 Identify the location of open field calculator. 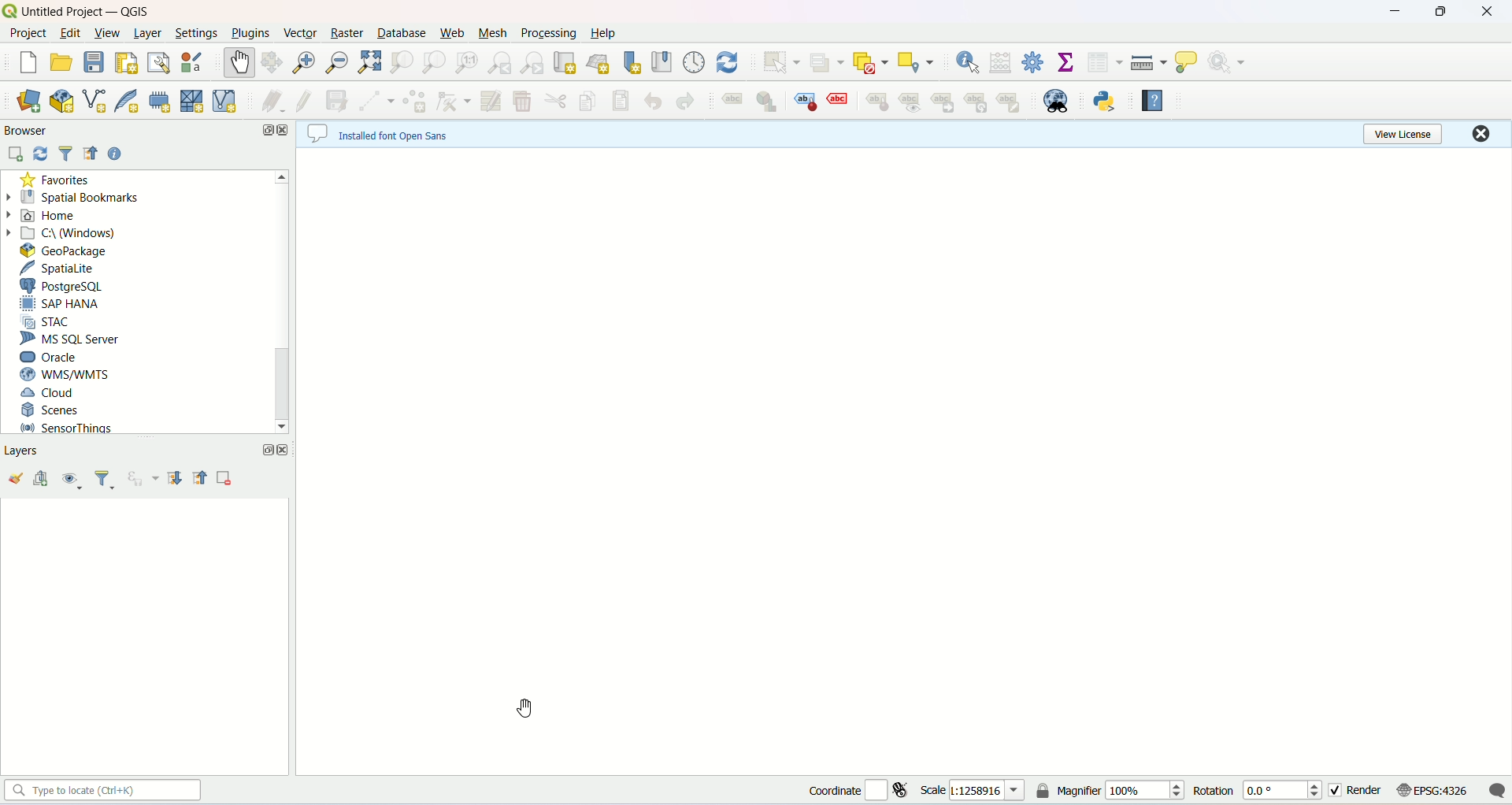
(1002, 64).